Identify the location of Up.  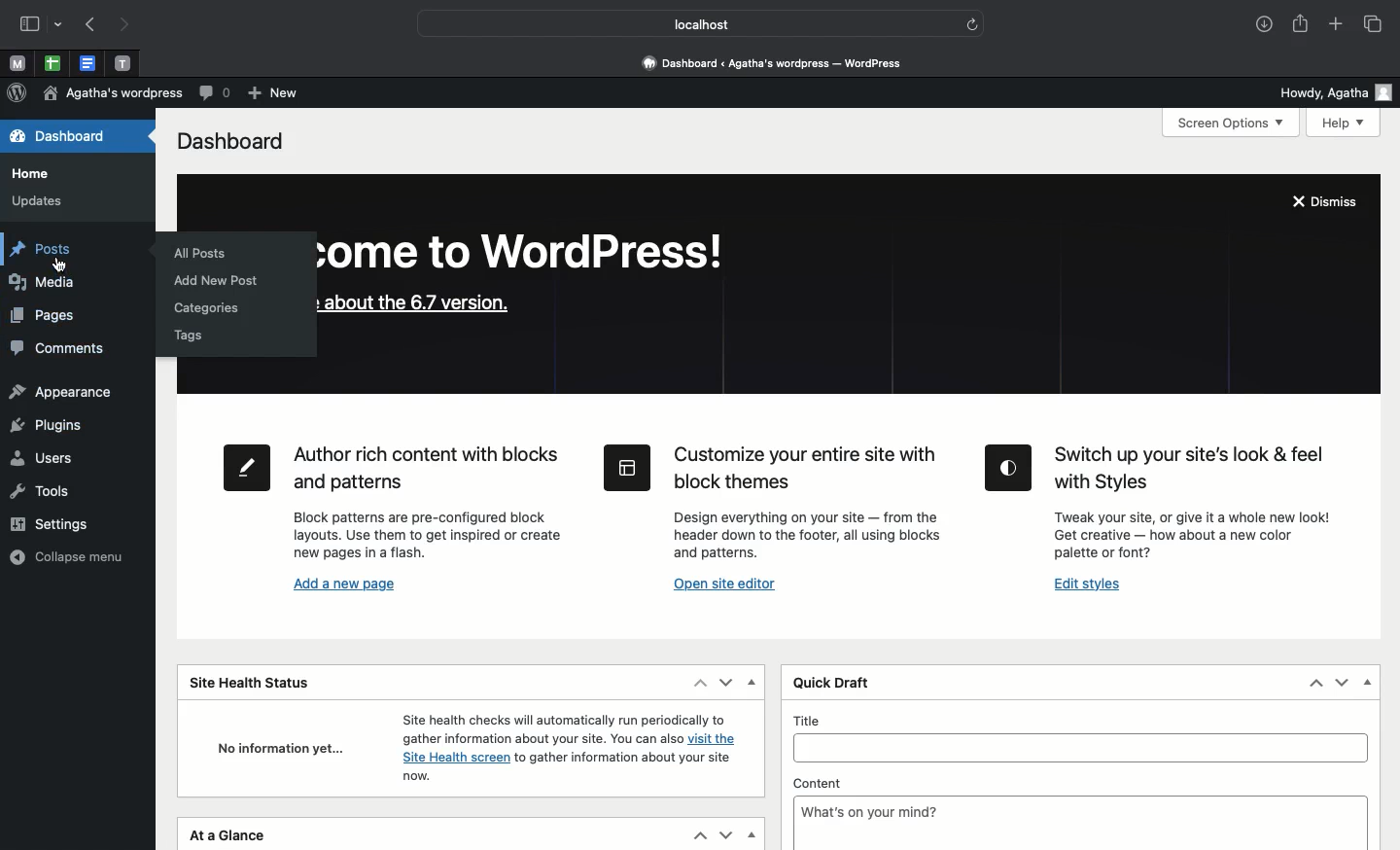
(697, 683).